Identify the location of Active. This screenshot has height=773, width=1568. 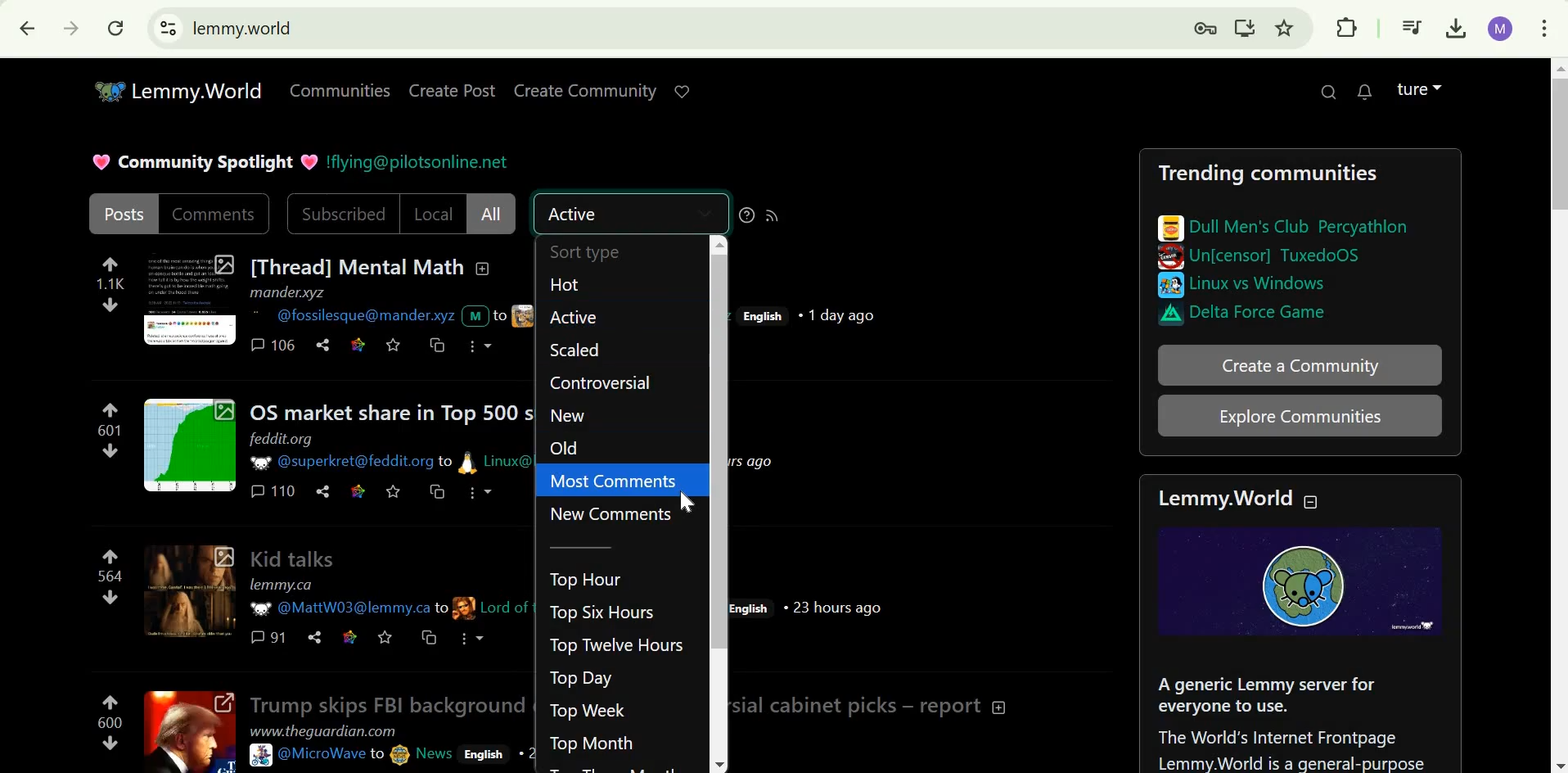
(578, 316).